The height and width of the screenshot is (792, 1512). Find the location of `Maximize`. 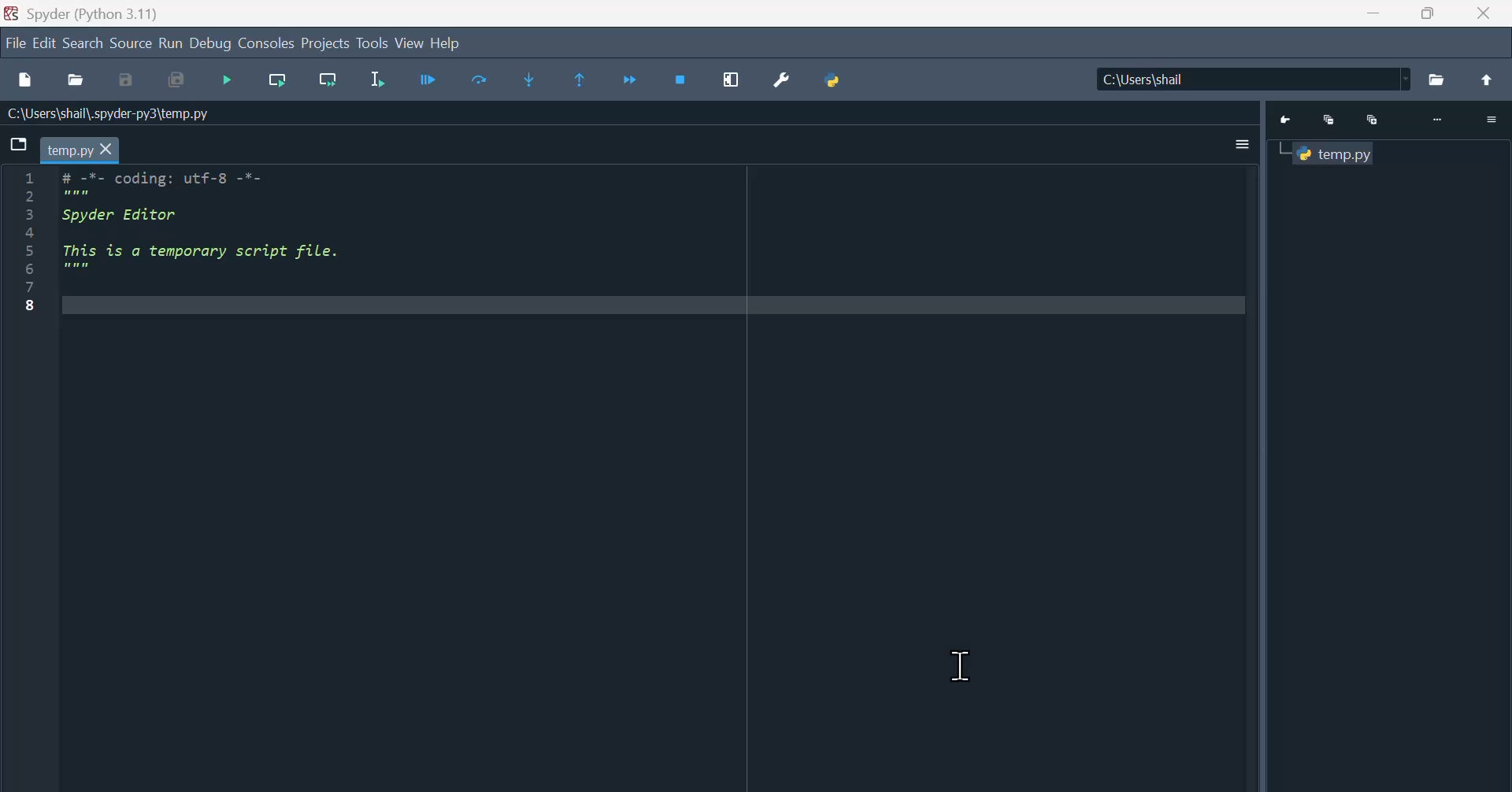

Maximize is located at coordinates (1426, 13).